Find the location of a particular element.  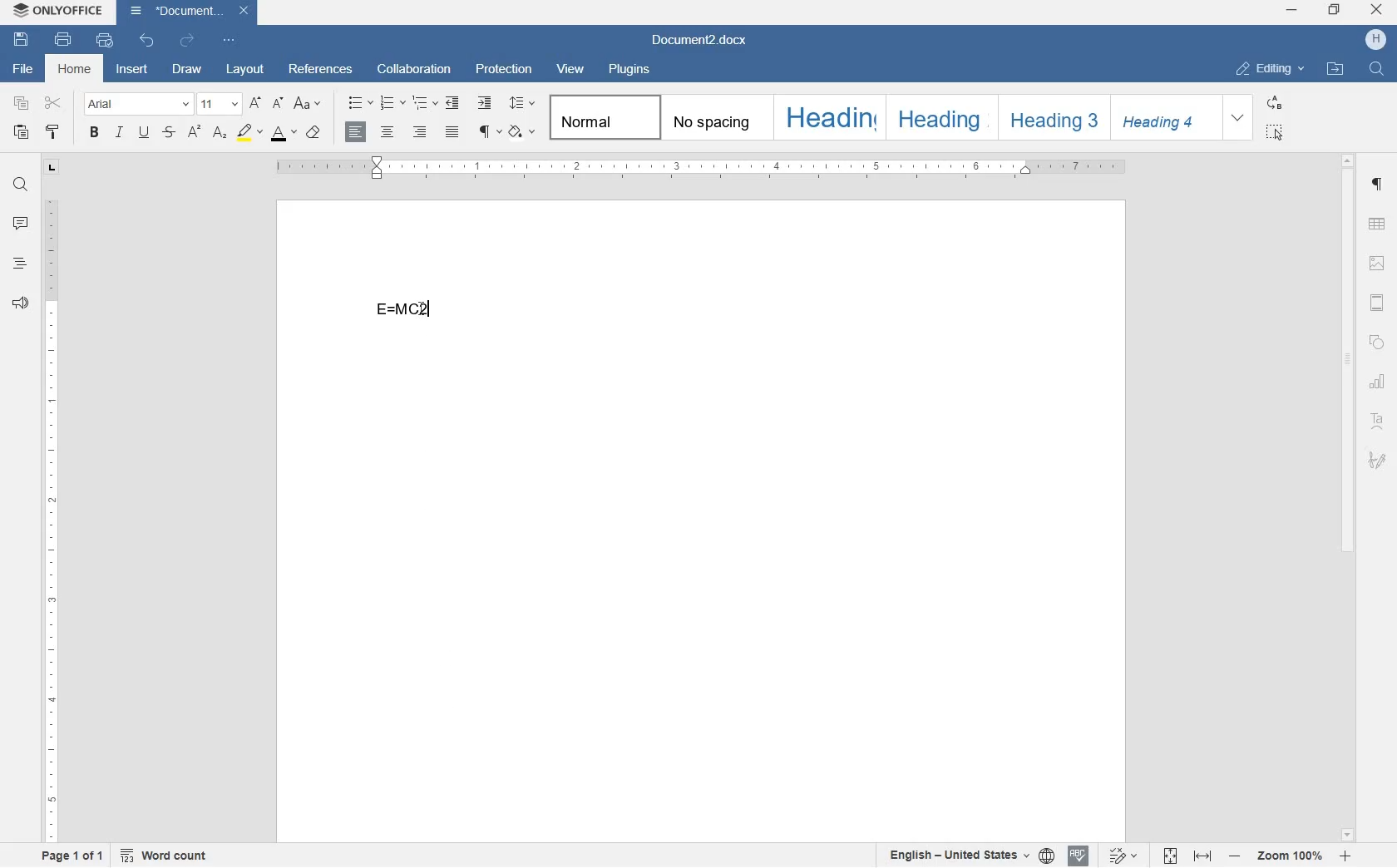

align center is located at coordinates (387, 131).